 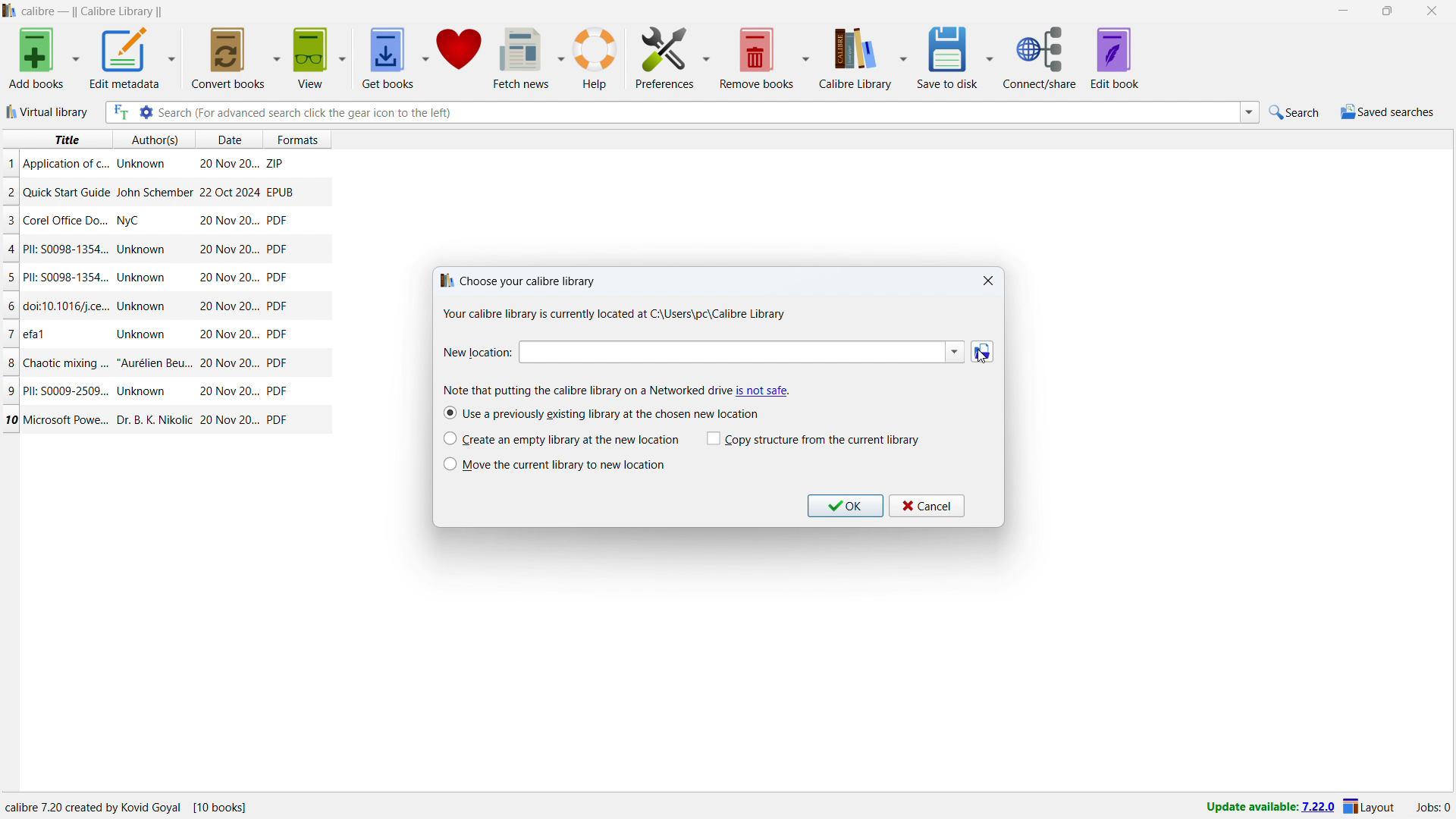 I want to click on get books, so click(x=387, y=58).